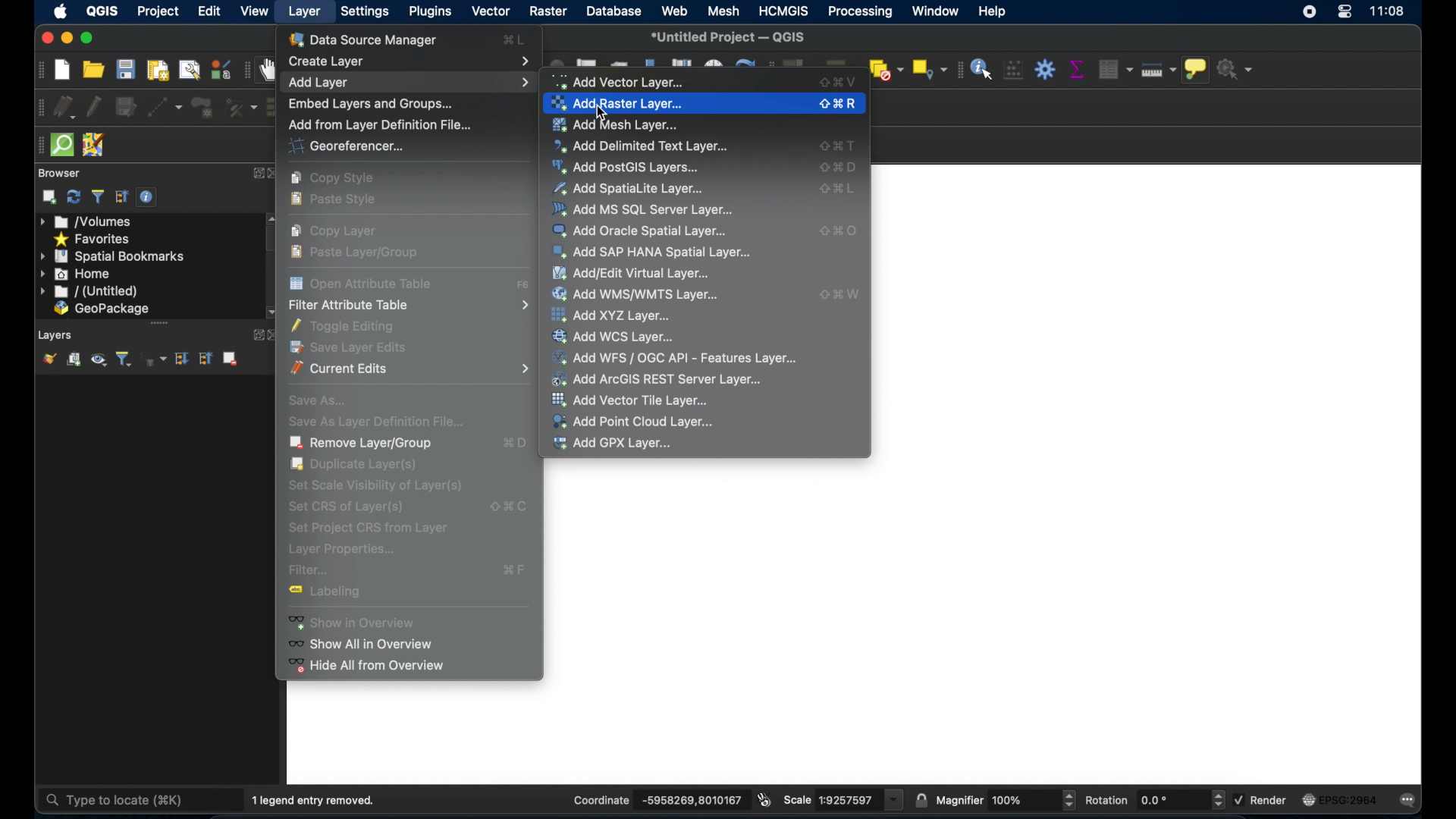 The width and height of the screenshot is (1456, 819). What do you see at coordinates (98, 196) in the screenshot?
I see `filter browser` at bounding box center [98, 196].